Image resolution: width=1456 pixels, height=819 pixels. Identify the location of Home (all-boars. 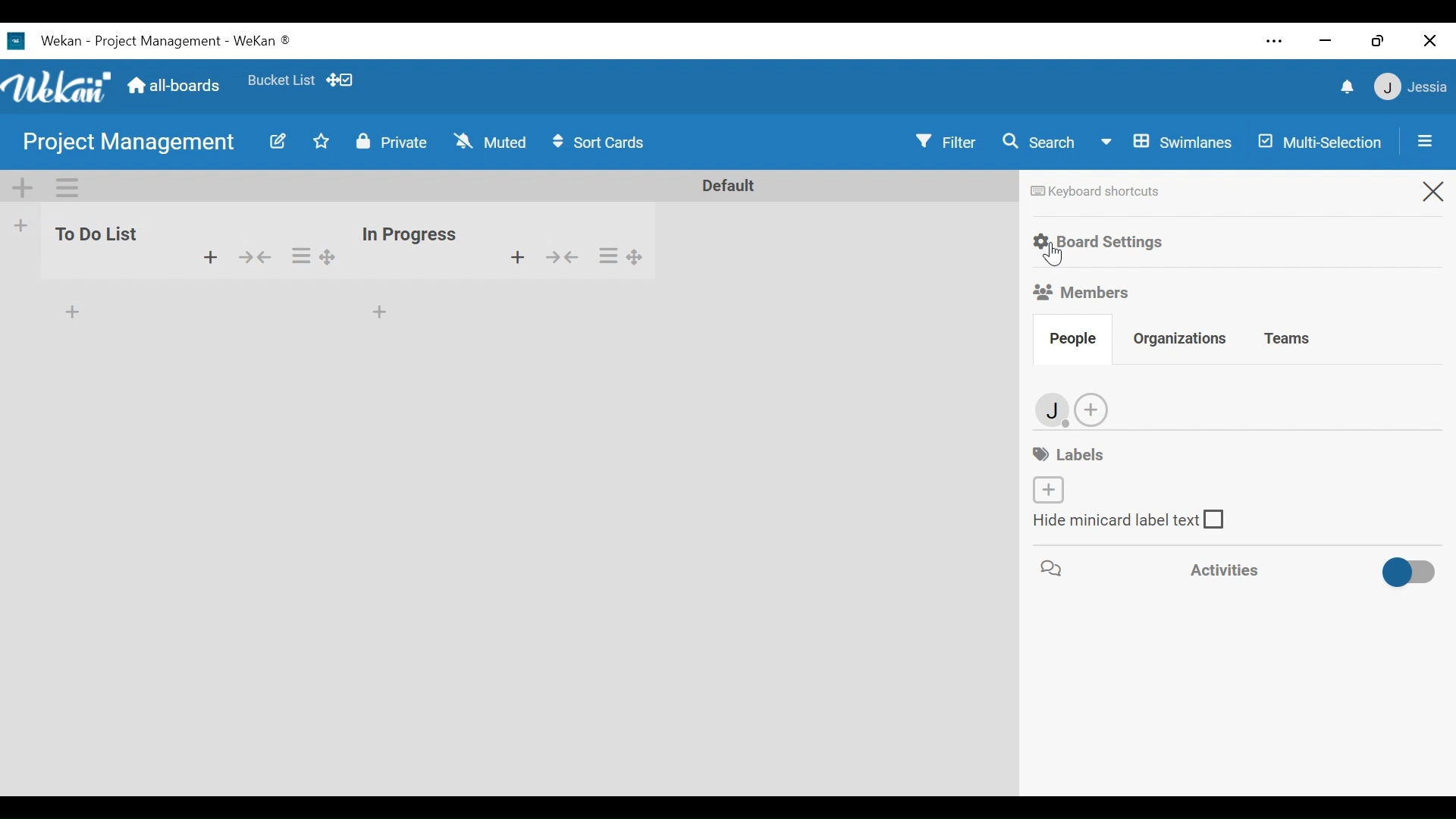
(177, 86).